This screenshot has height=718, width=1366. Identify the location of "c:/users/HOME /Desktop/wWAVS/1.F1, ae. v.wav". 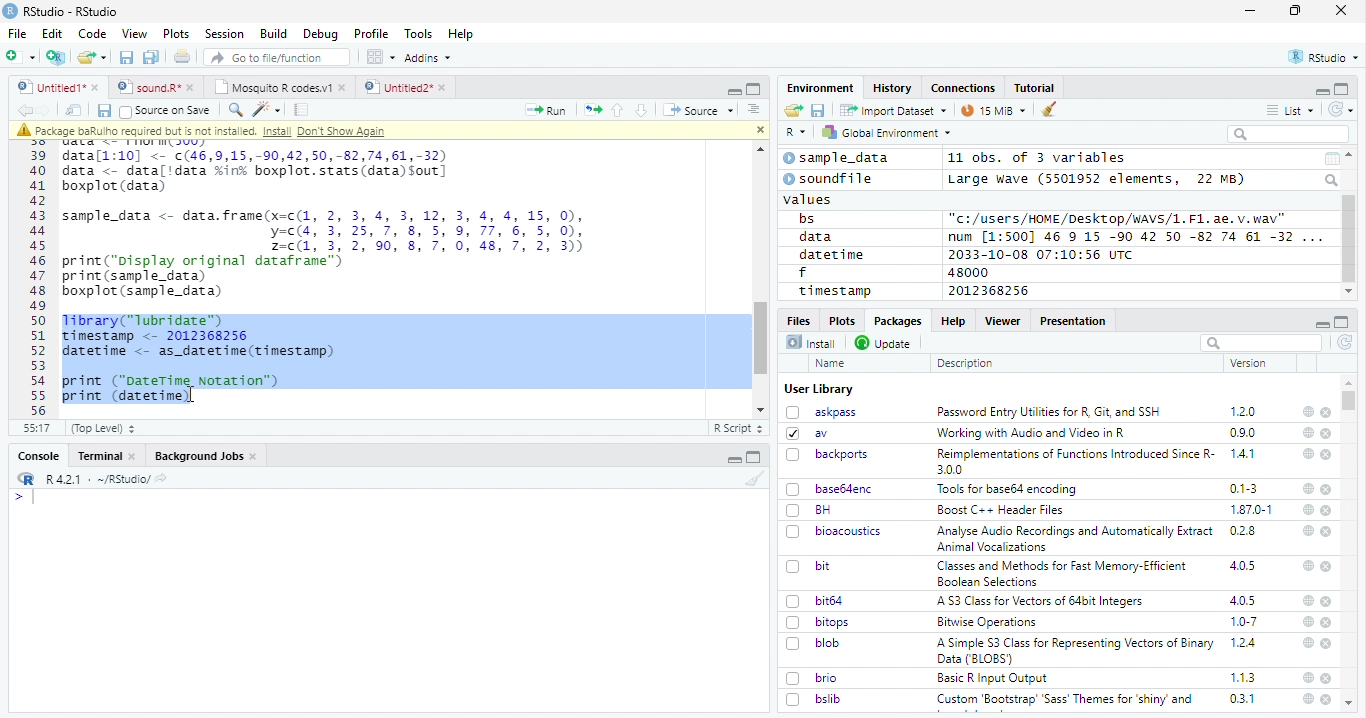
(1119, 217).